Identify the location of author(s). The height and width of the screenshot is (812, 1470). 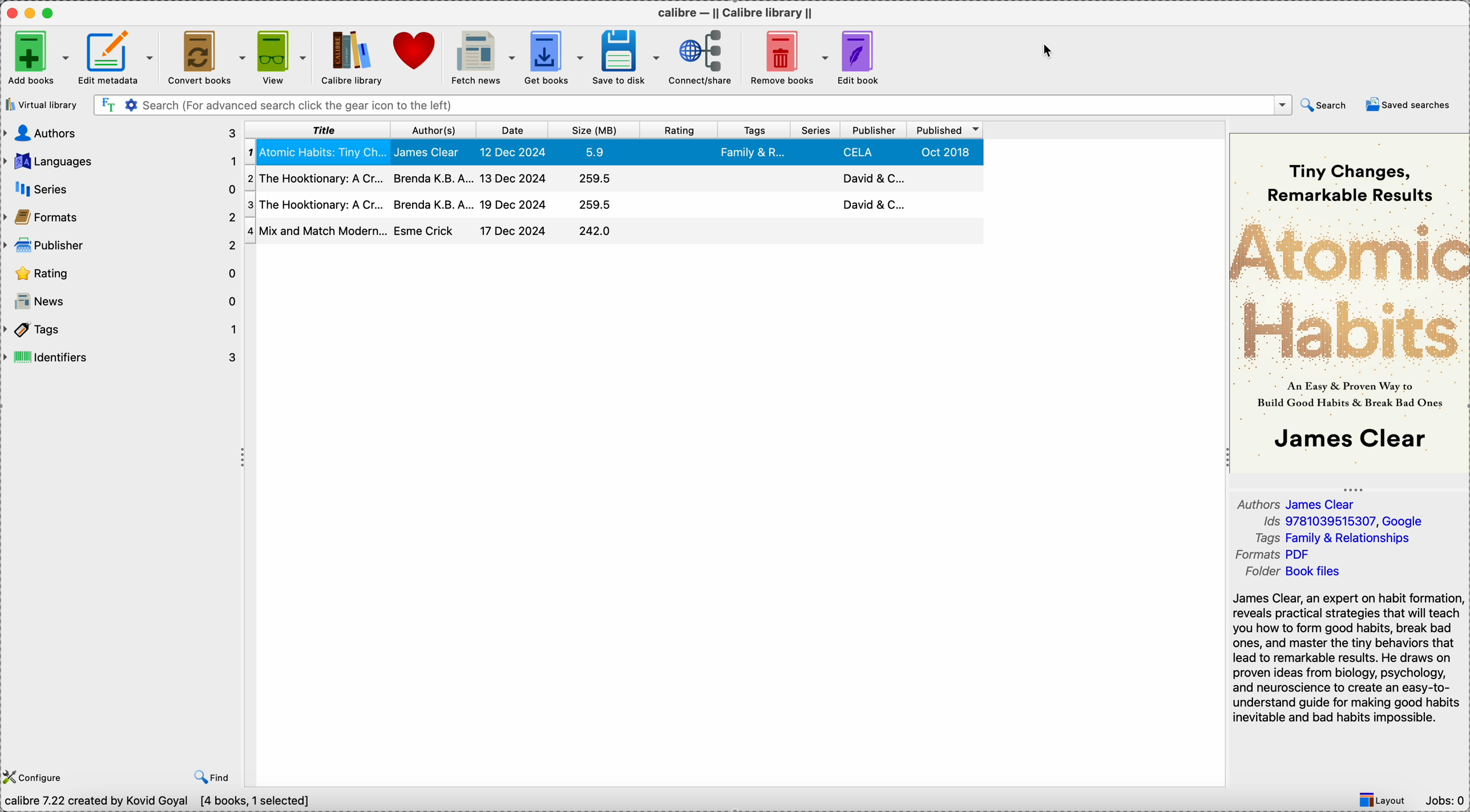
(431, 130).